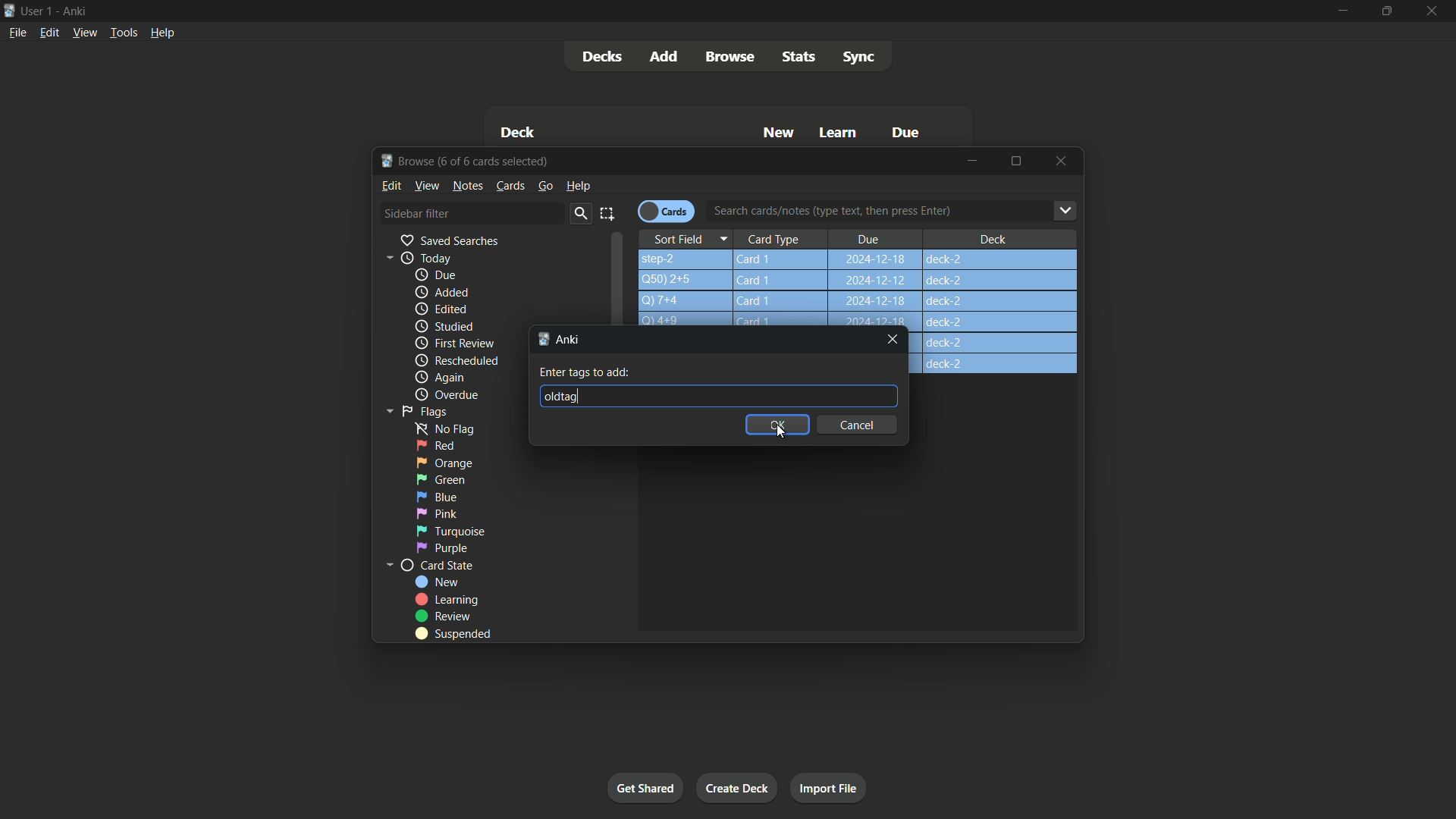 This screenshot has width=1456, height=819. What do you see at coordinates (510, 186) in the screenshot?
I see `Cards` at bounding box center [510, 186].